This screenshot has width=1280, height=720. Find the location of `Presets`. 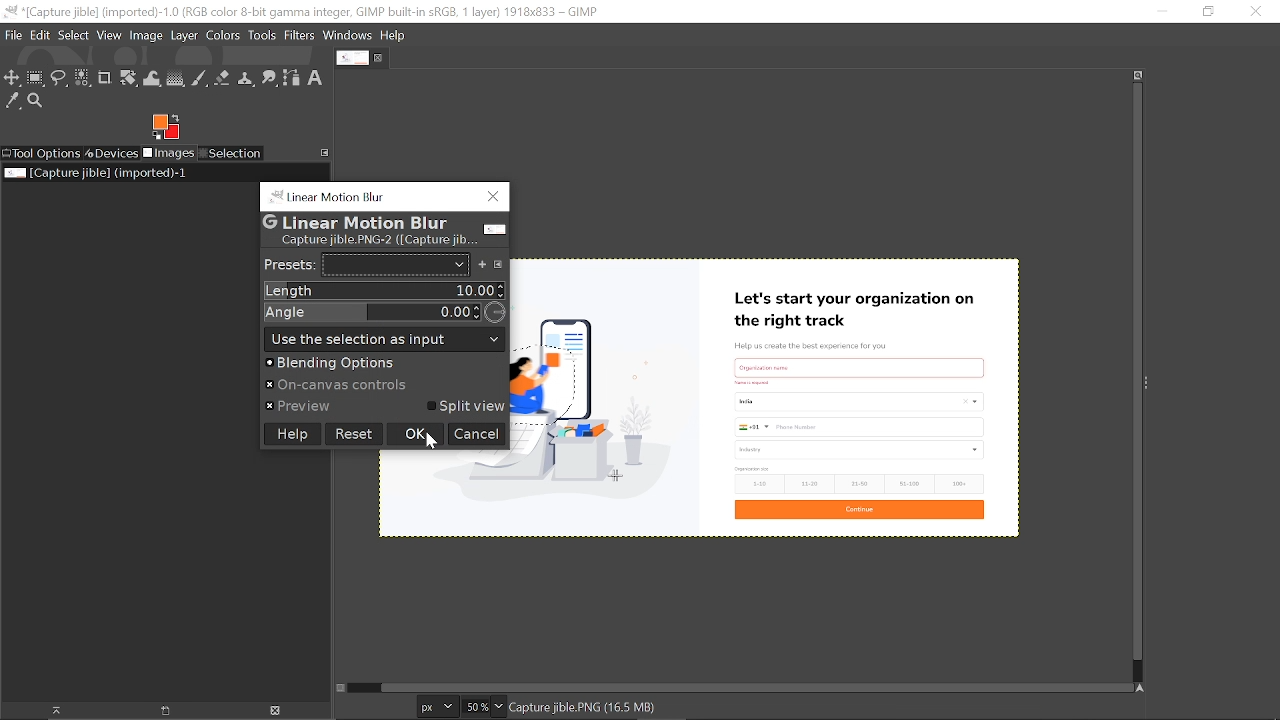

Presets is located at coordinates (287, 265).